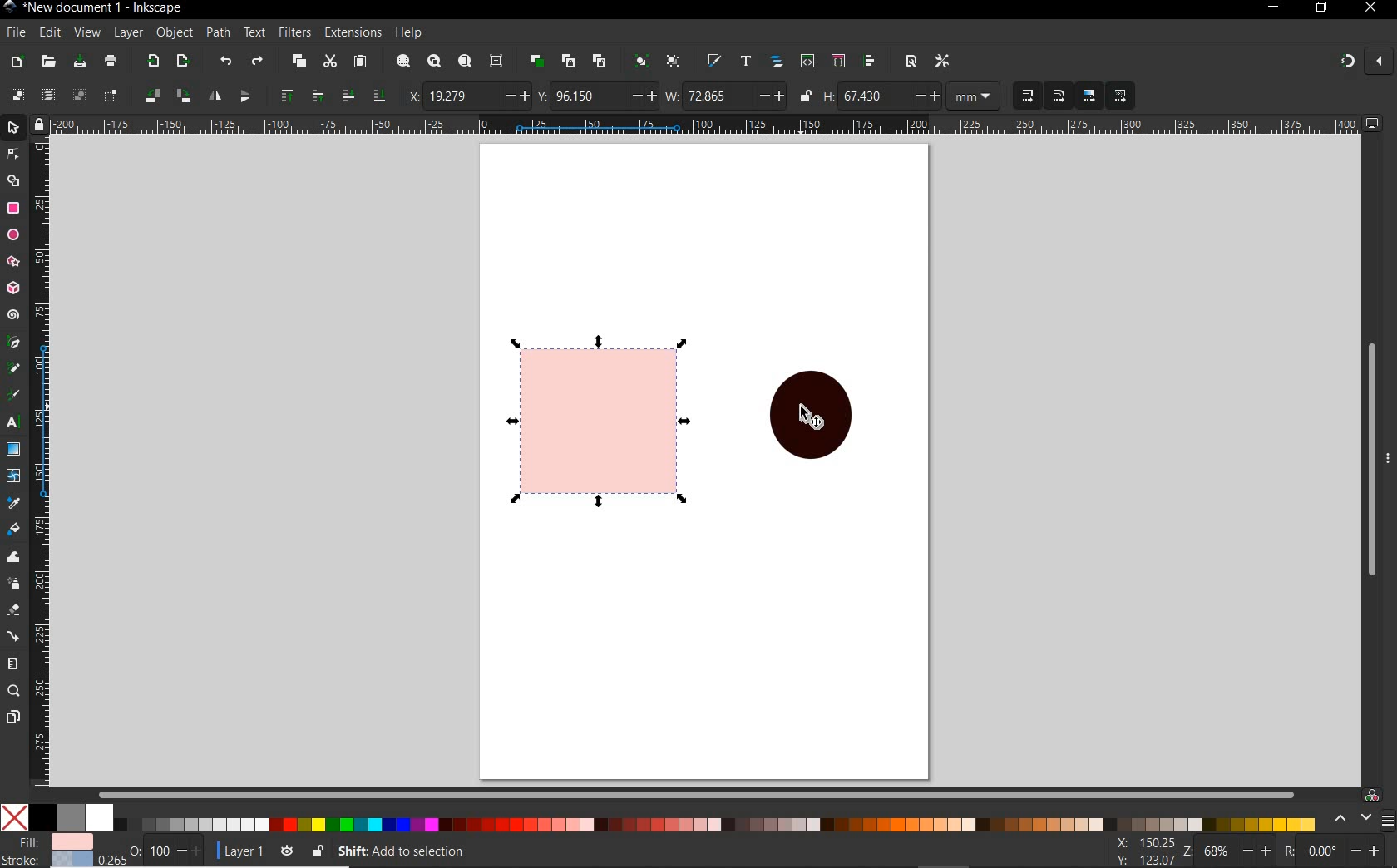 This screenshot has width=1397, height=868. Describe the element at coordinates (360, 62) in the screenshot. I see `paste` at that location.